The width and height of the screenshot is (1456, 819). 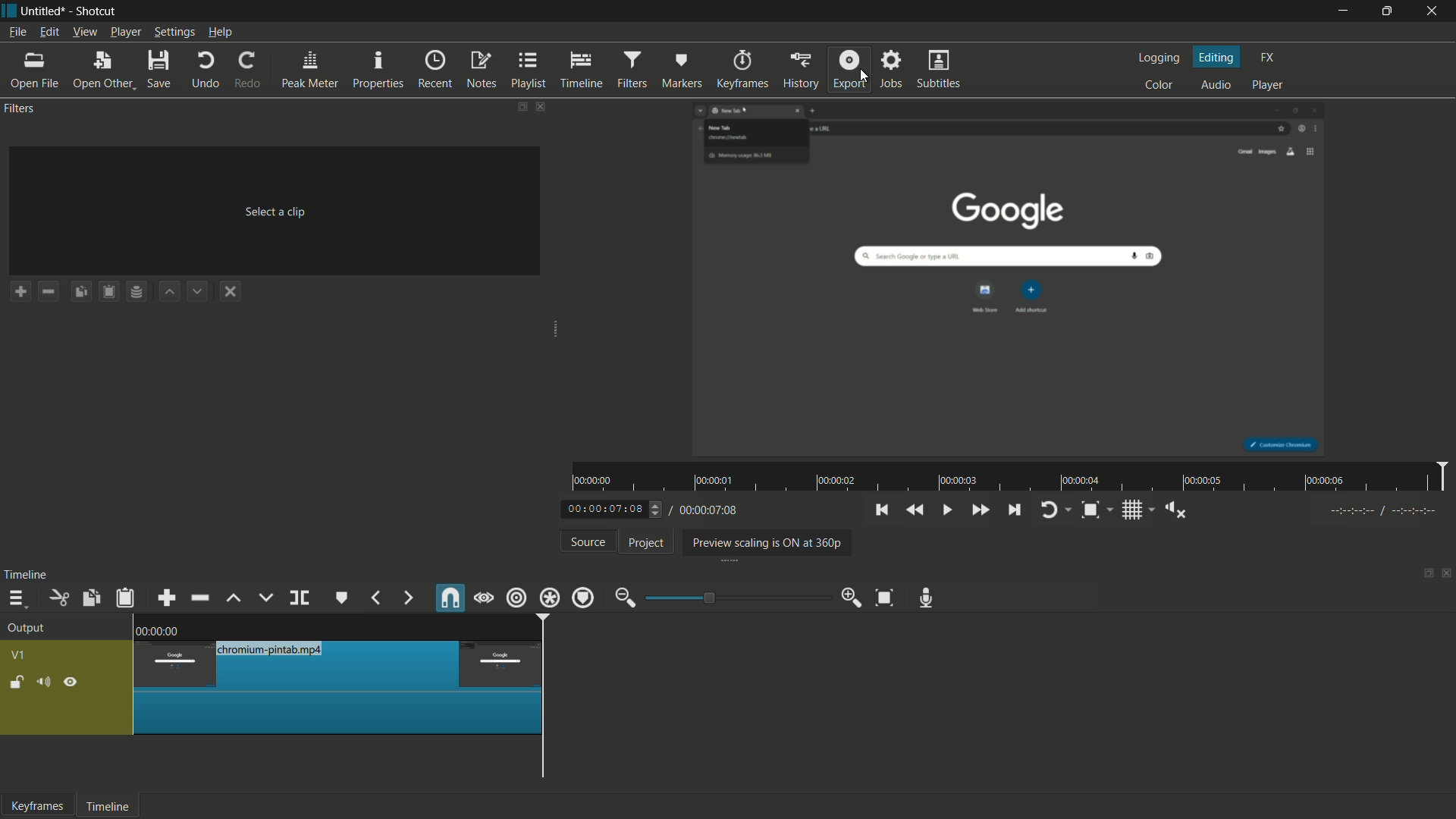 I want to click on recent, so click(x=435, y=69).